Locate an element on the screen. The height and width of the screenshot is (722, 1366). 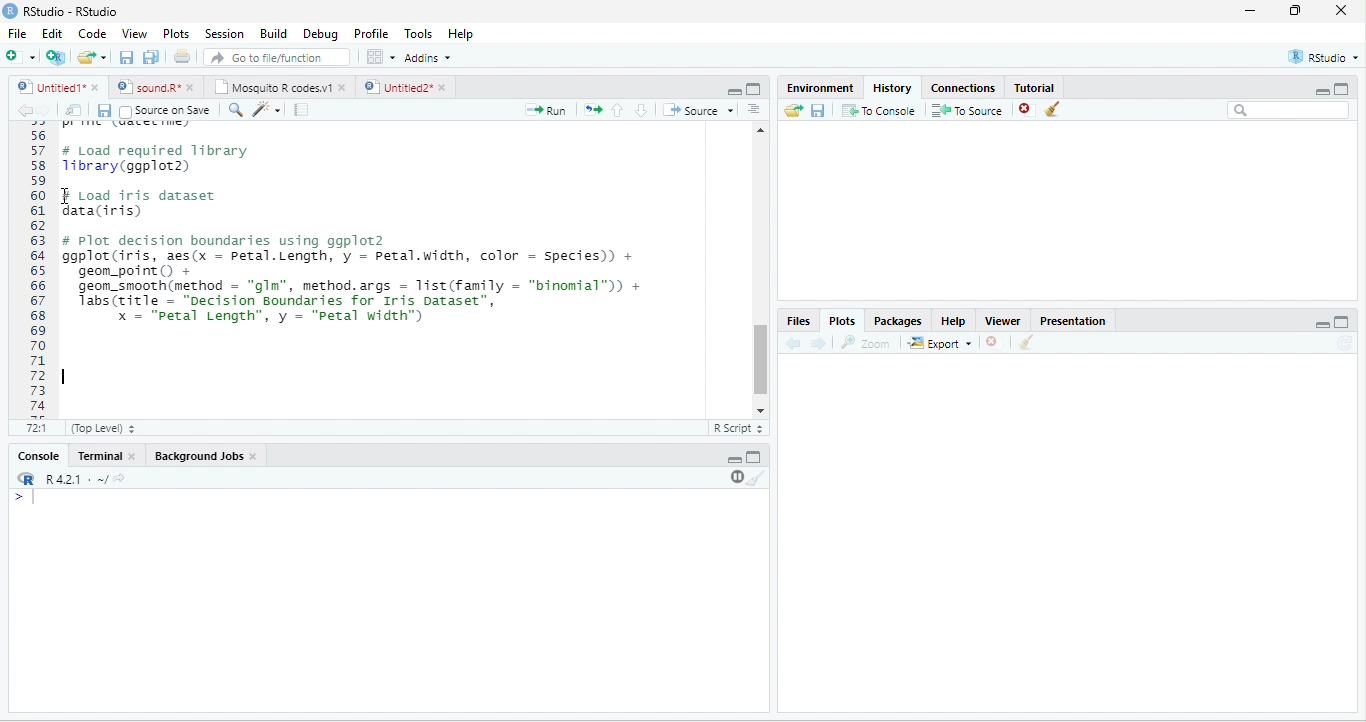
scroll down is located at coordinates (760, 411).